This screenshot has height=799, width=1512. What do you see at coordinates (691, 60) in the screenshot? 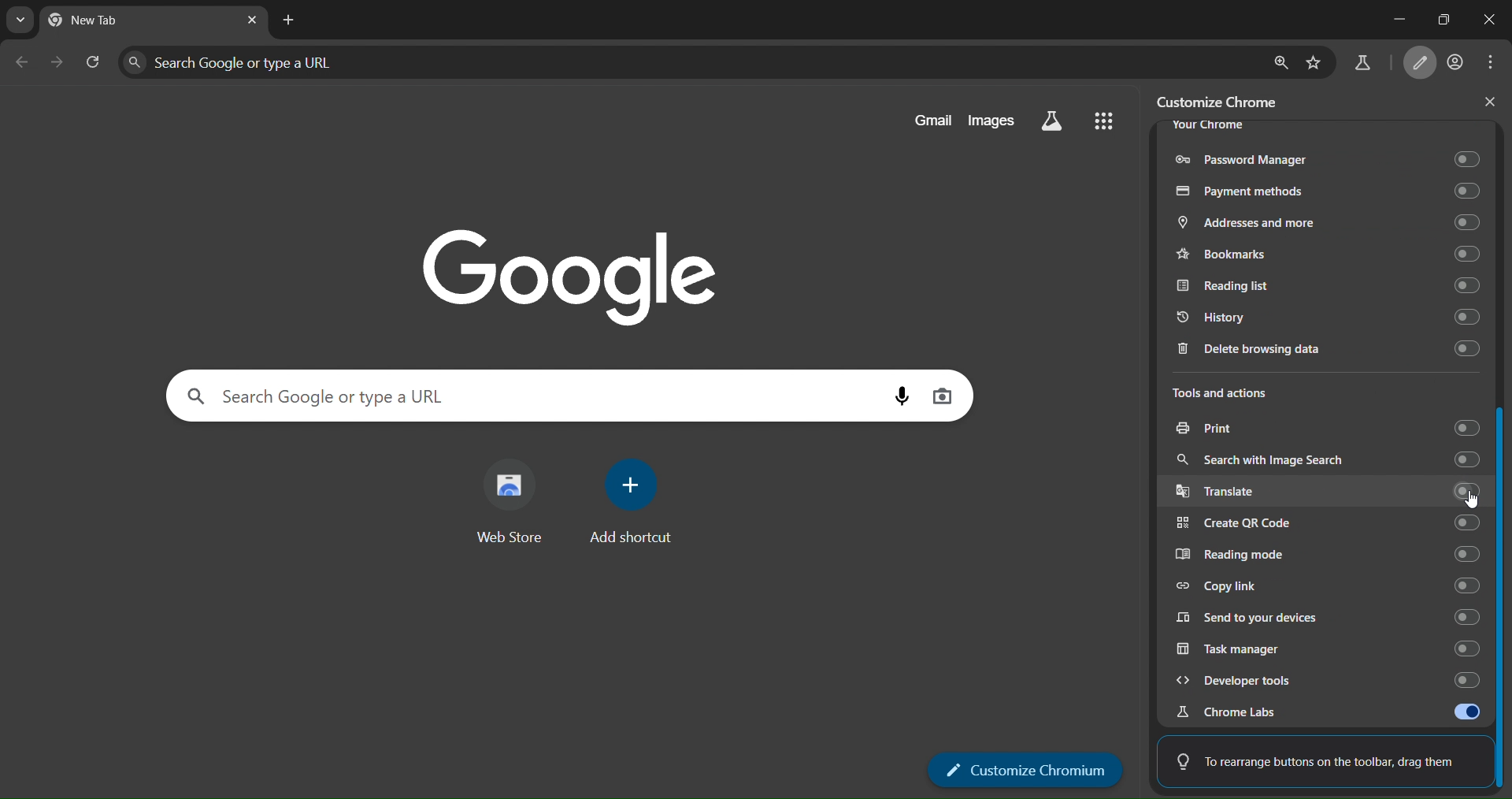
I see `search panel` at bounding box center [691, 60].